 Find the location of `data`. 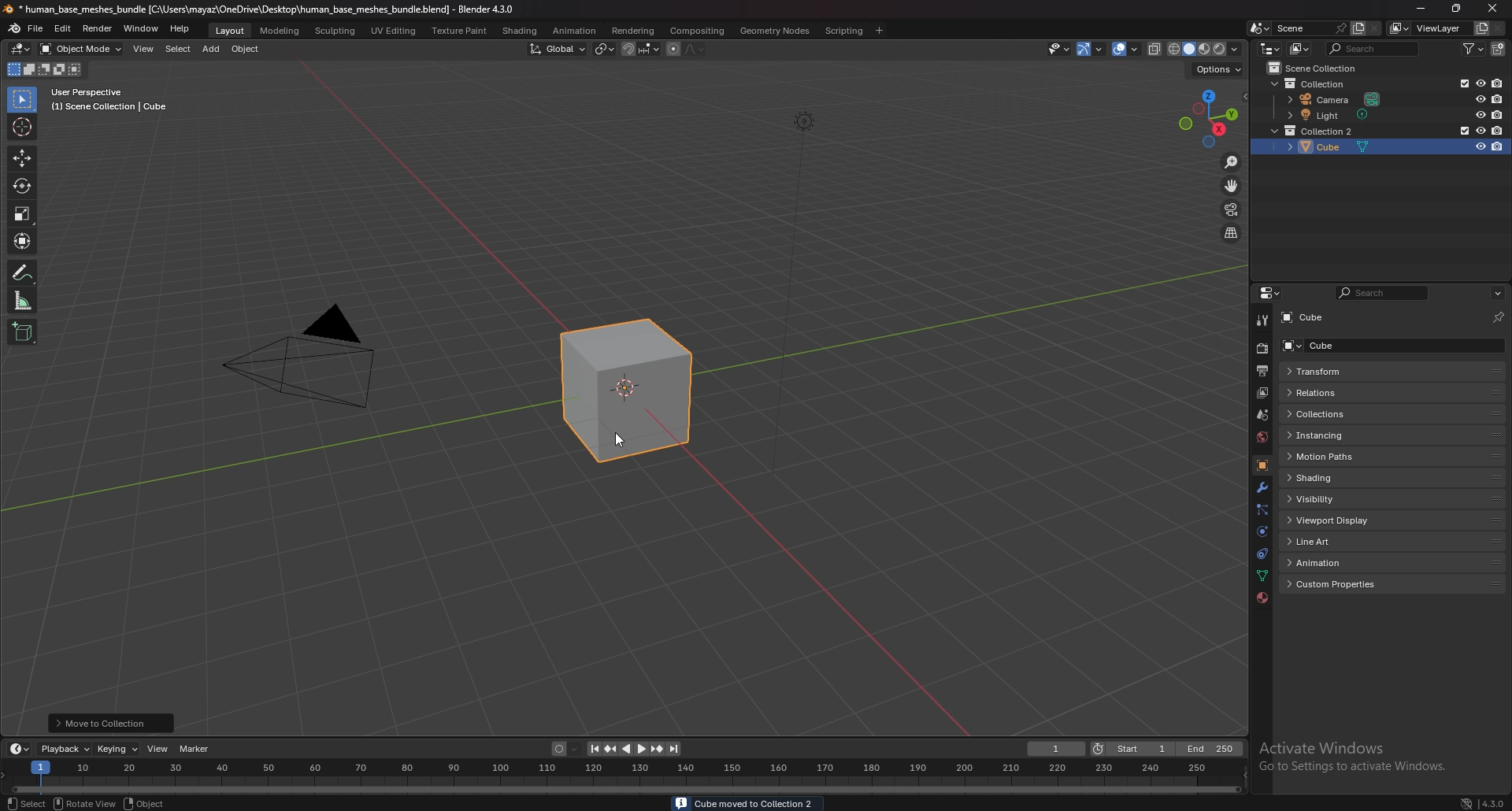

data is located at coordinates (1262, 576).